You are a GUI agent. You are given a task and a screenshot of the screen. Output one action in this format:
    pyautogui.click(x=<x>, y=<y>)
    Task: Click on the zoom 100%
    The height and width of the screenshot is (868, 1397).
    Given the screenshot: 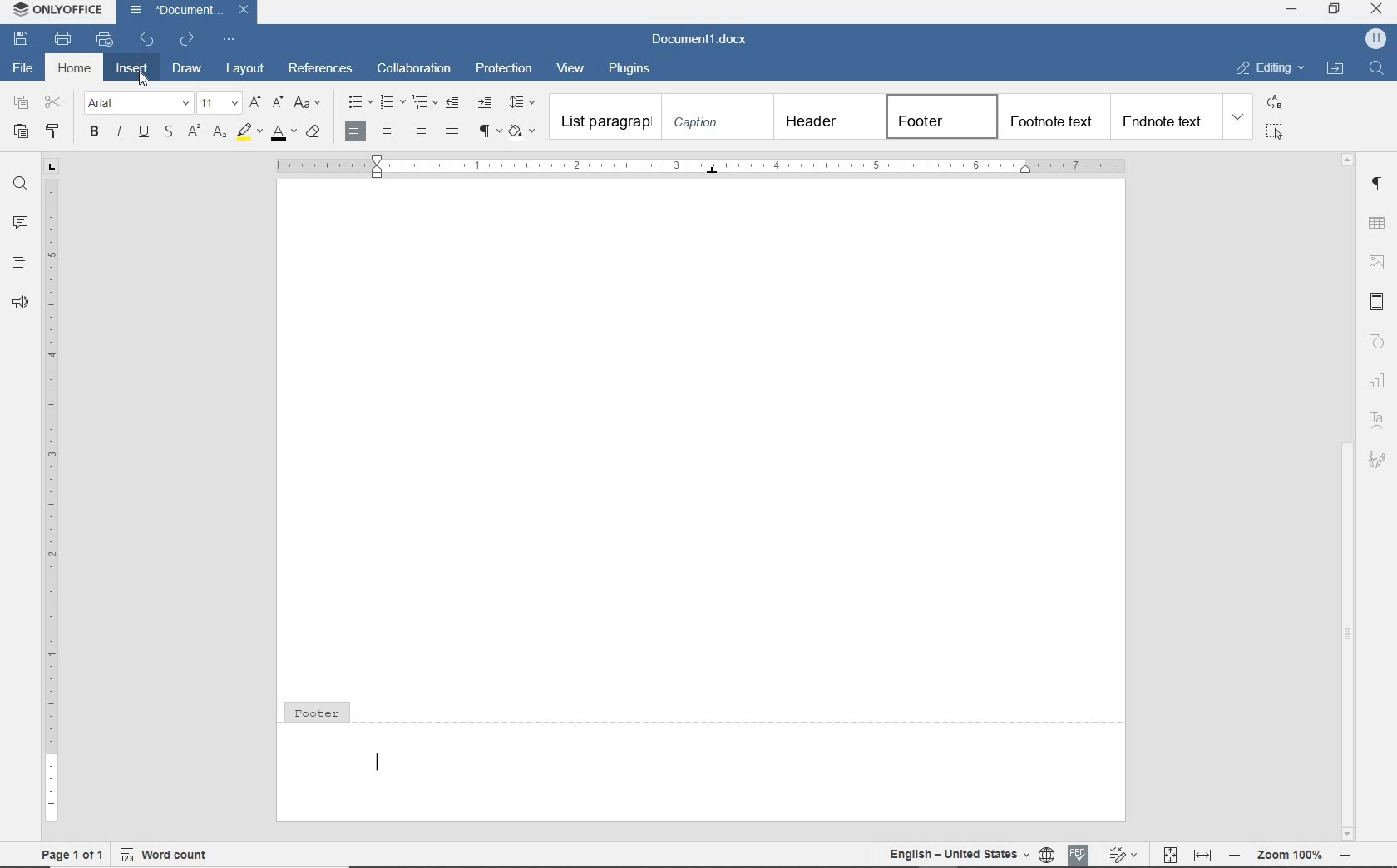 What is the action you would take?
    pyautogui.click(x=1288, y=854)
    